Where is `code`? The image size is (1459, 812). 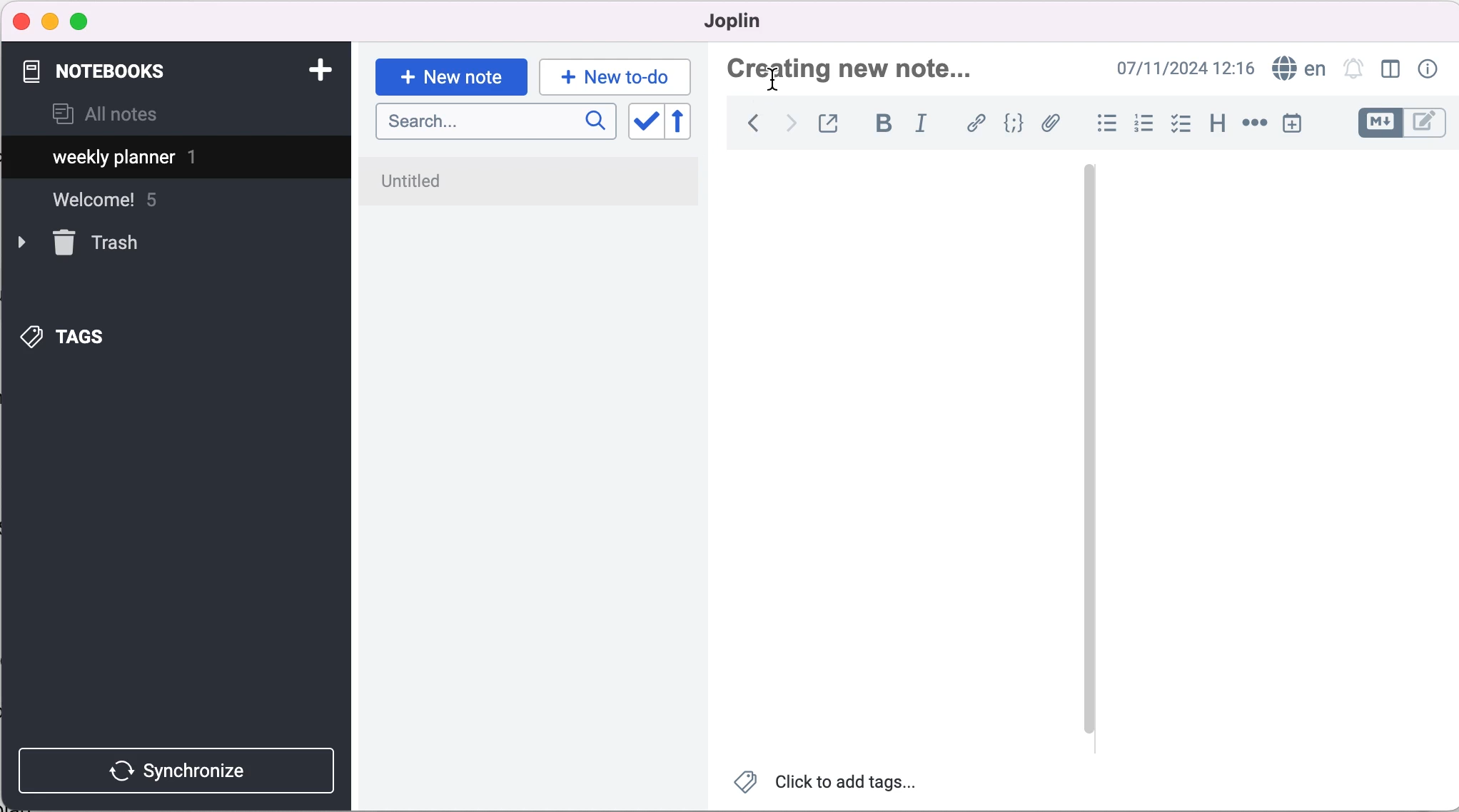 code is located at coordinates (1014, 125).